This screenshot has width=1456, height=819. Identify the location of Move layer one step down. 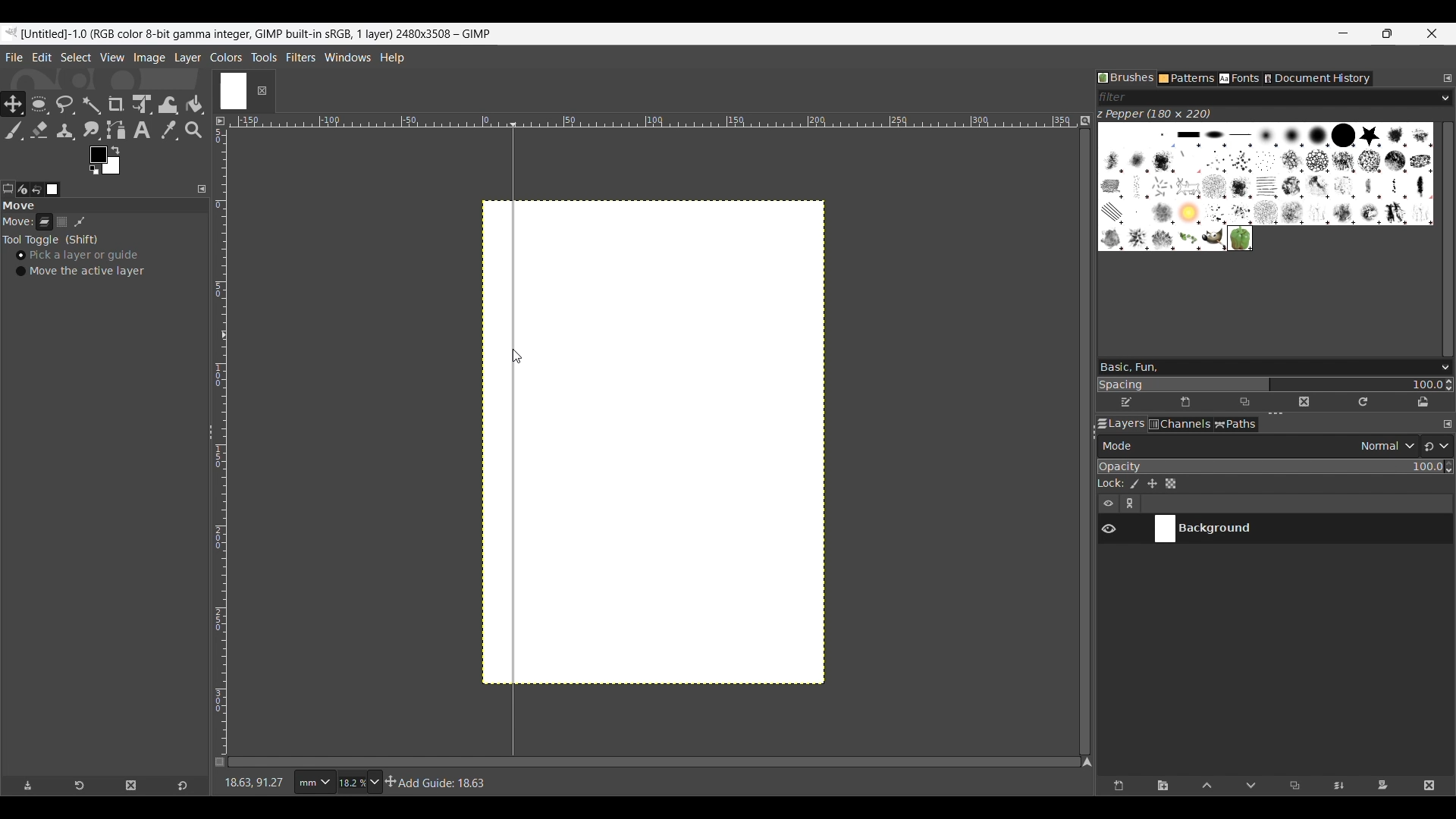
(1251, 786).